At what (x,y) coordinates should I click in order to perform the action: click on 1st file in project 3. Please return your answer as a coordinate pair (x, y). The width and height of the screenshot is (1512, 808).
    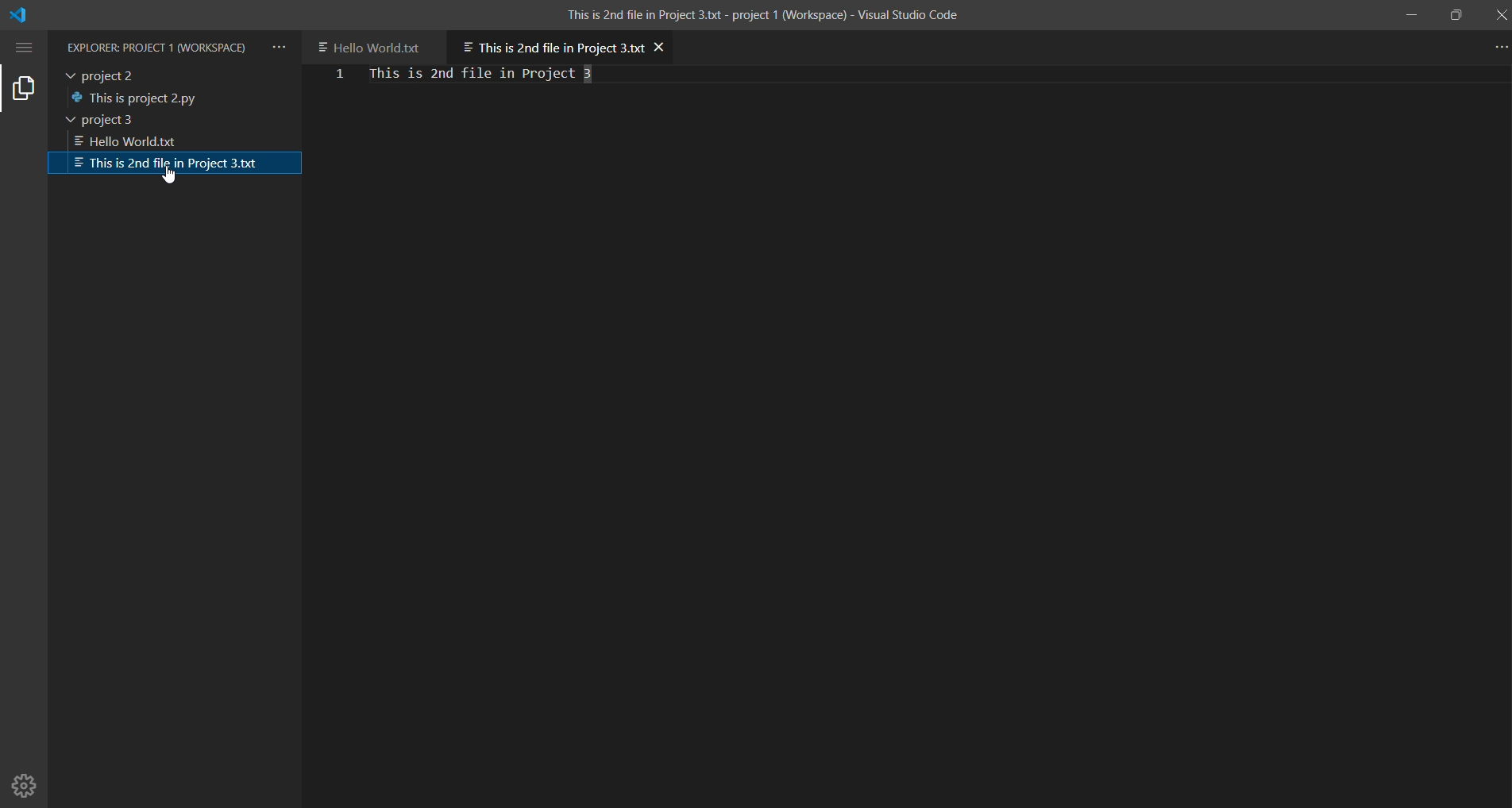
    Looking at the image, I should click on (171, 142).